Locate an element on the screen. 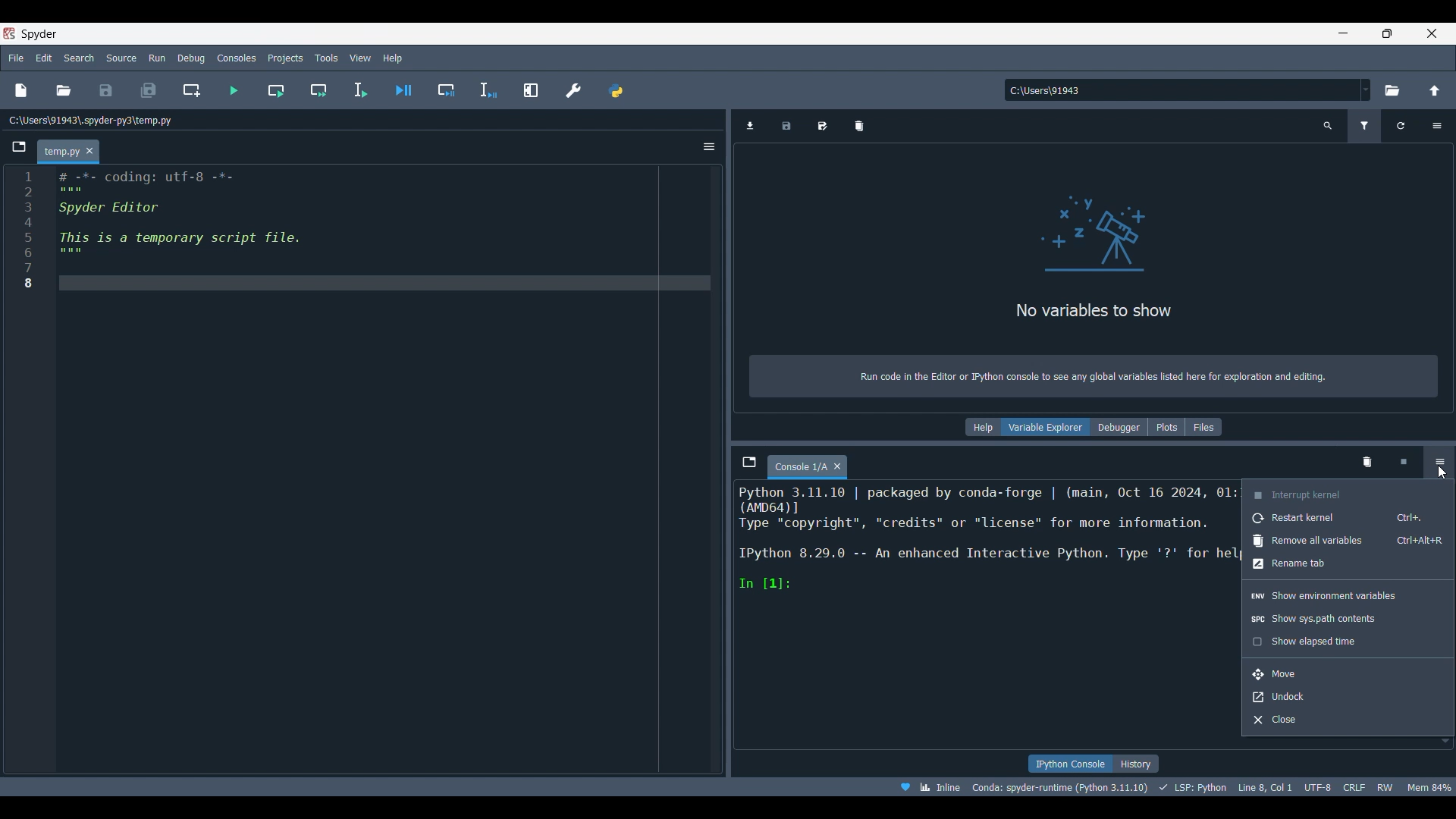 Image resolution: width=1456 pixels, height=819 pixels. File location is located at coordinates (92, 121).